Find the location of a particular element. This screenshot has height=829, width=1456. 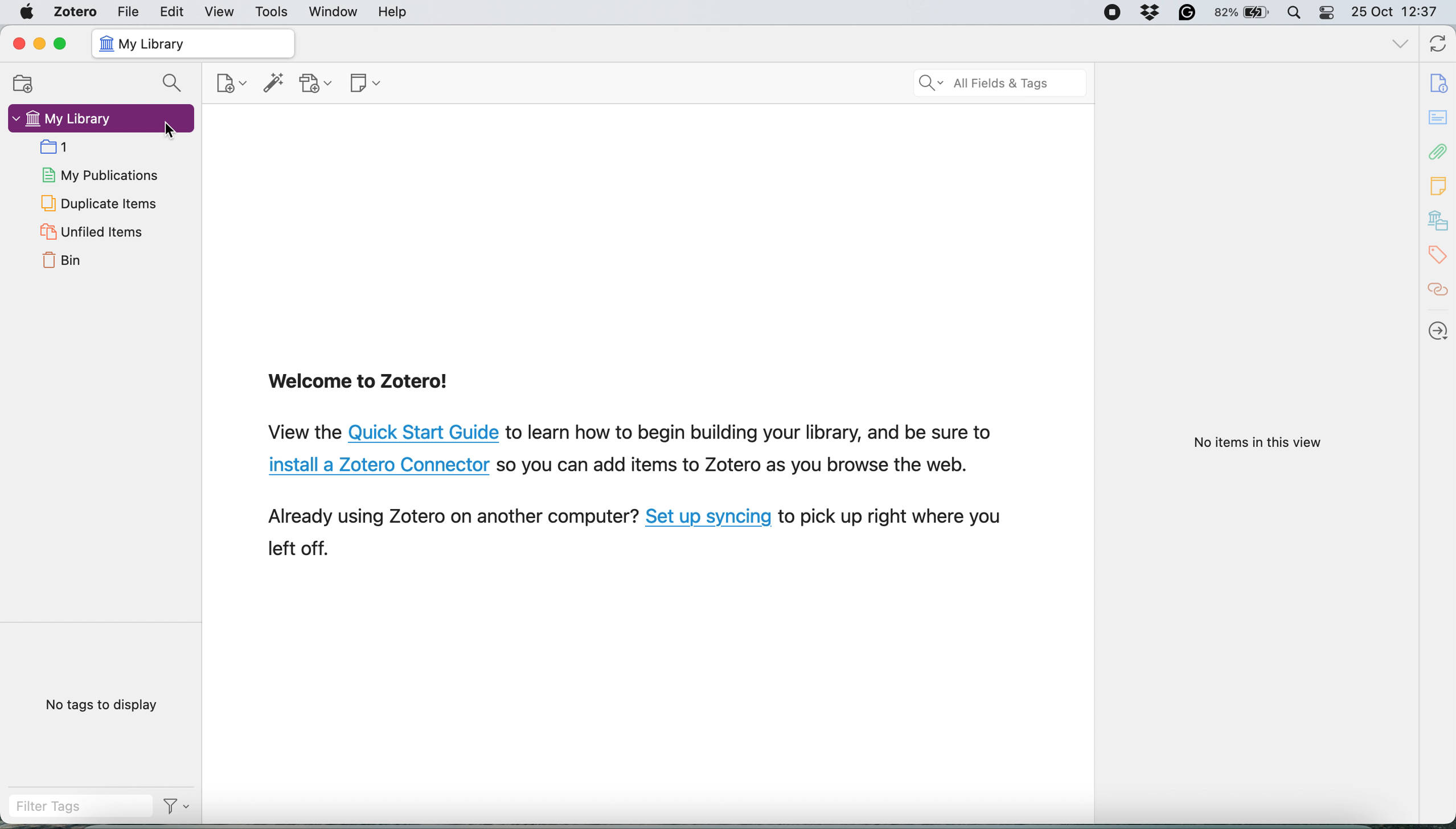

tags is located at coordinates (1439, 253).